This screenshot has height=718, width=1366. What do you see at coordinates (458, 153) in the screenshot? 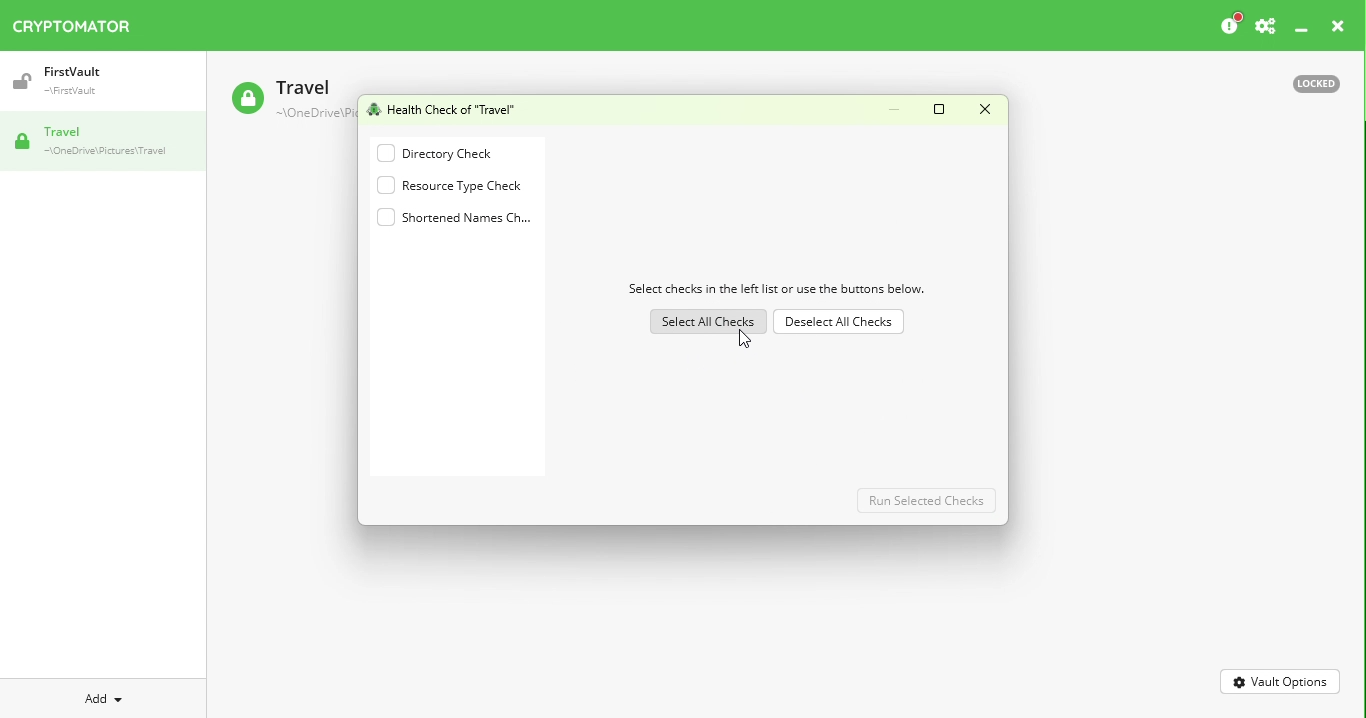
I see `Directory check` at bounding box center [458, 153].